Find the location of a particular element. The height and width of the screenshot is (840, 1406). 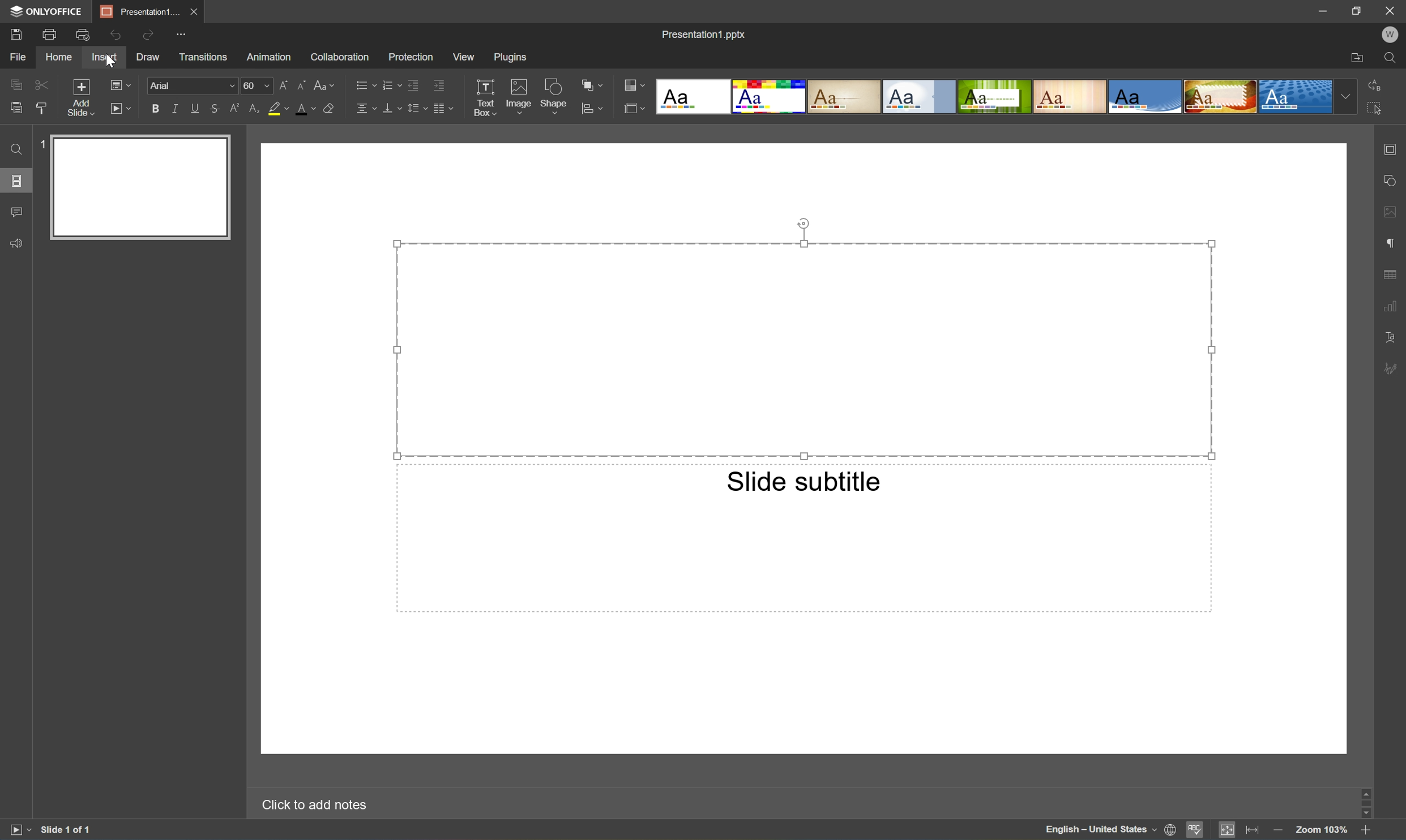

Cursor is located at coordinates (109, 59).